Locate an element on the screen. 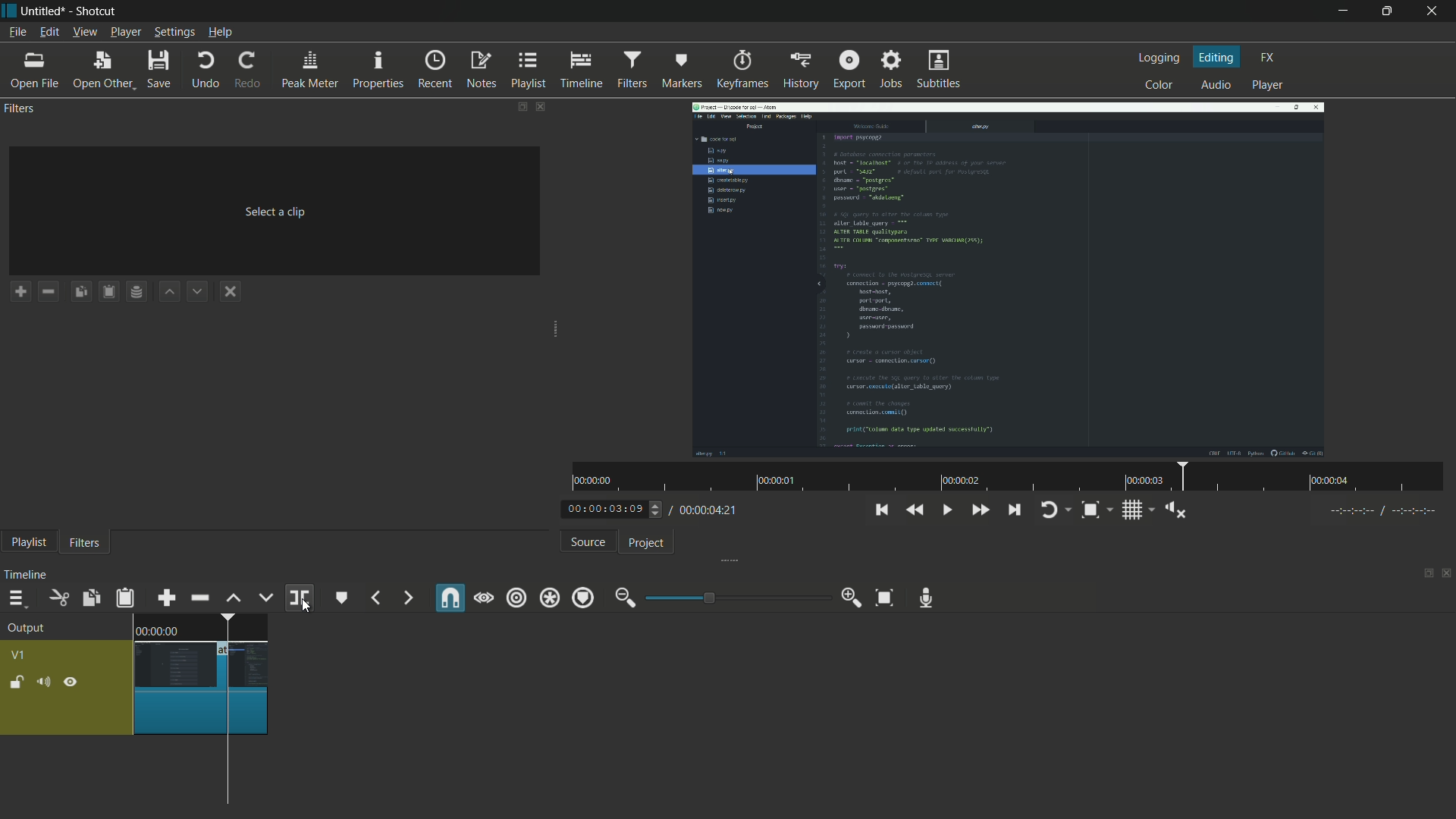 The height and width of the screenshot is (819, 1456). paste is located at coordinates (126, 598).